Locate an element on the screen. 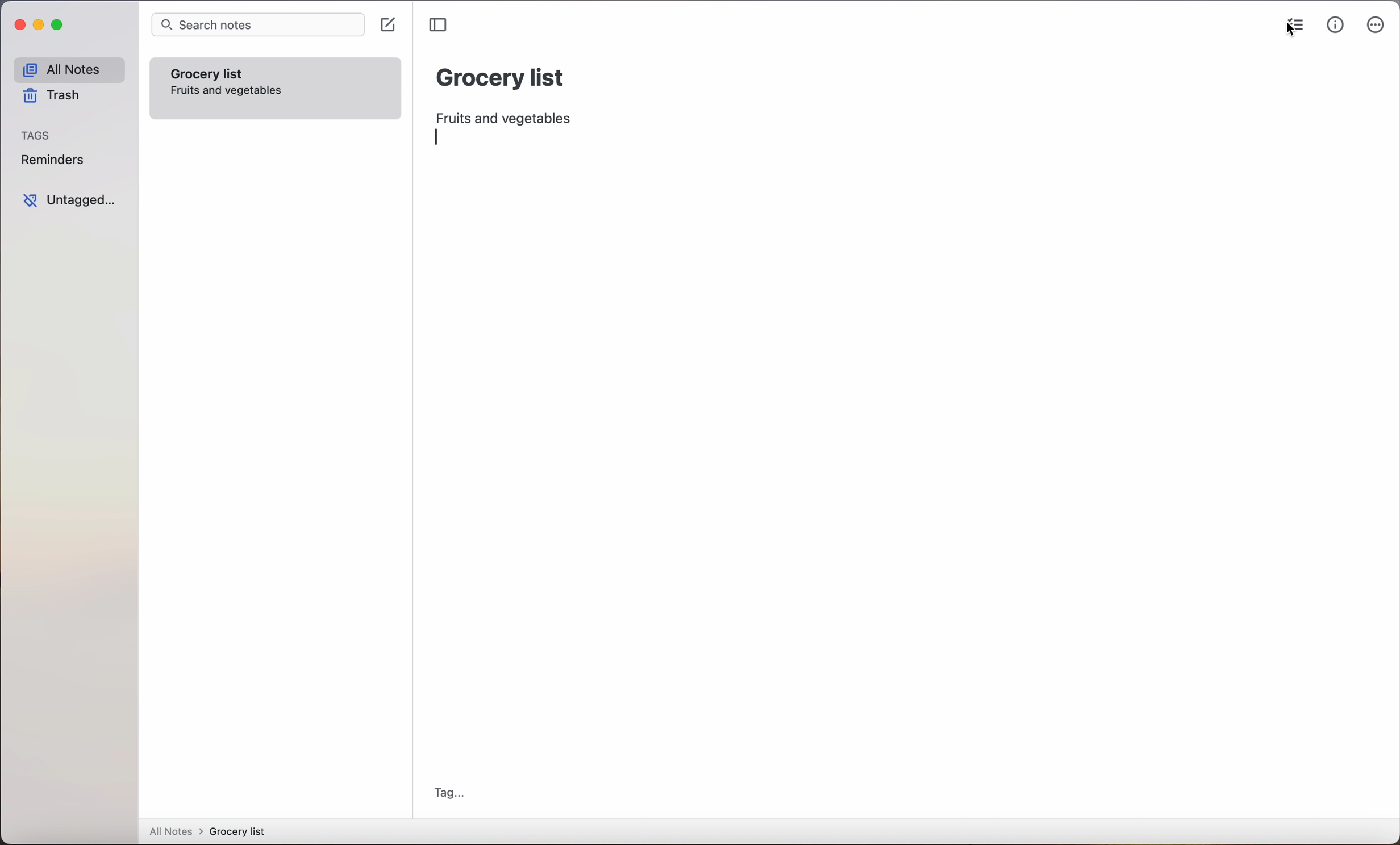 The image size is (1400, 845). minimize Simplenote is located at coordinates (41, 27).